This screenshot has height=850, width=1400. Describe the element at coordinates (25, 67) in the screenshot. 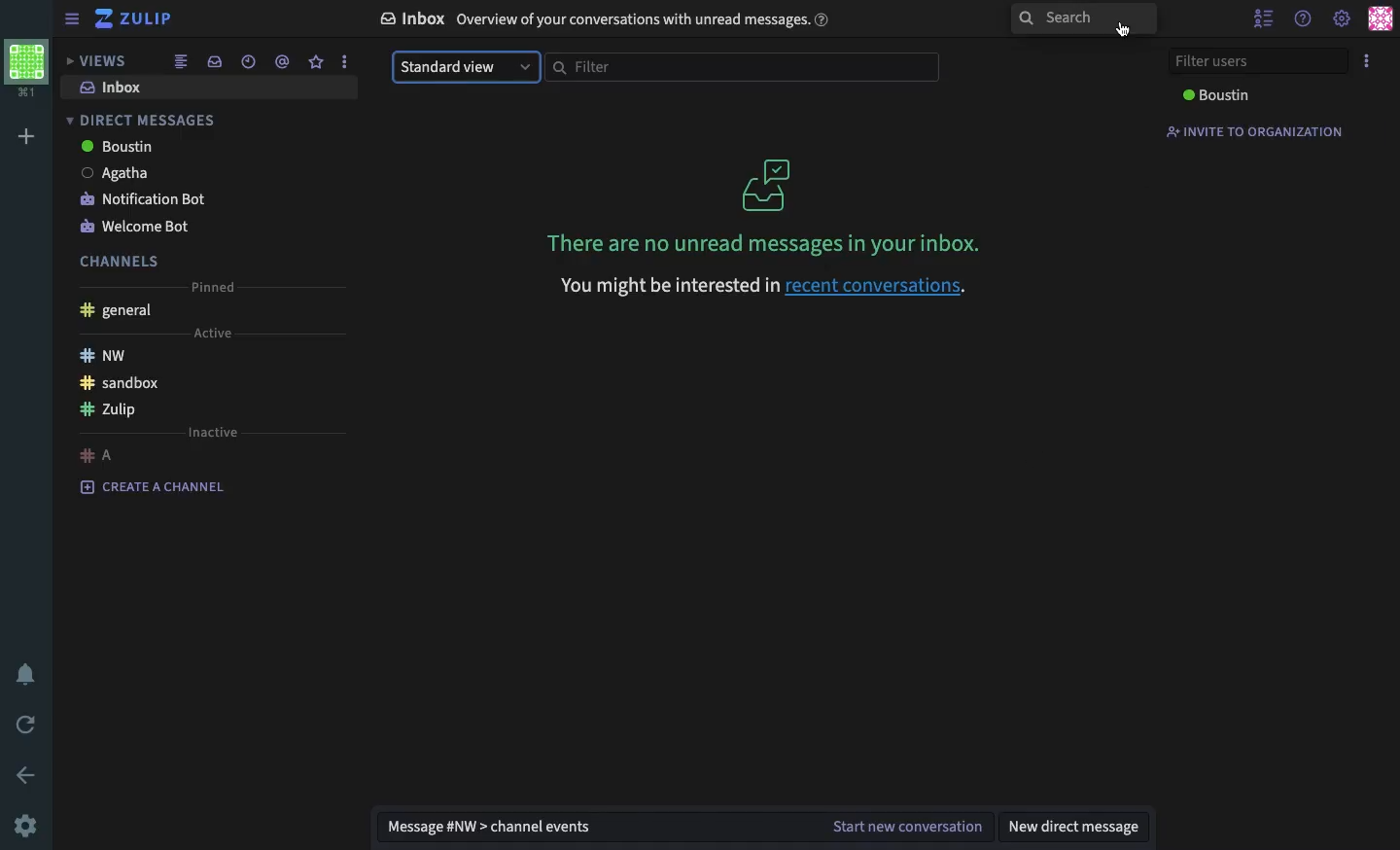

I see `workspace profile` at that location.